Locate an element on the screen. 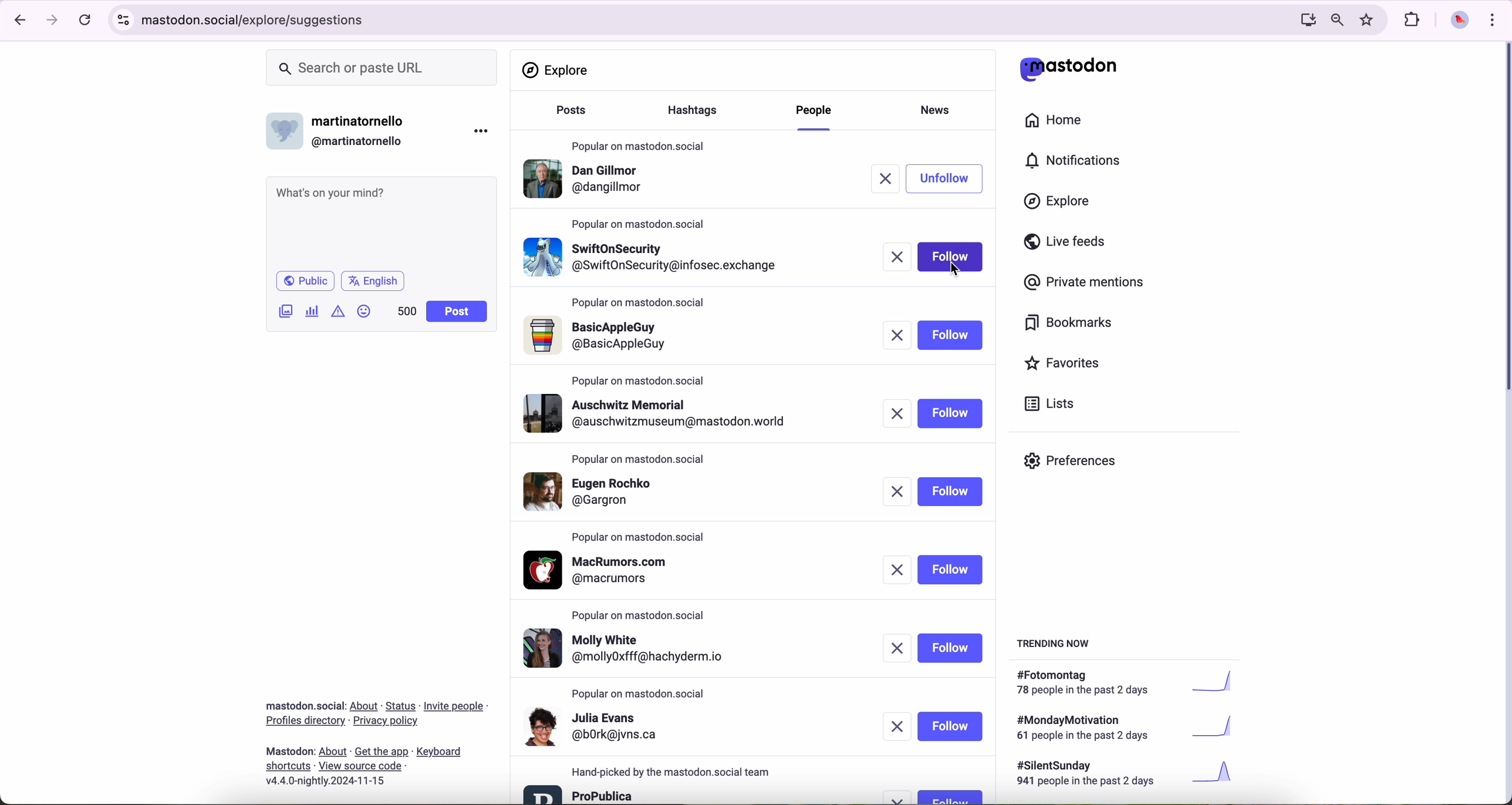 This screenshot has width=1512, height=805. trending now is located at coordinates (1055, 642).